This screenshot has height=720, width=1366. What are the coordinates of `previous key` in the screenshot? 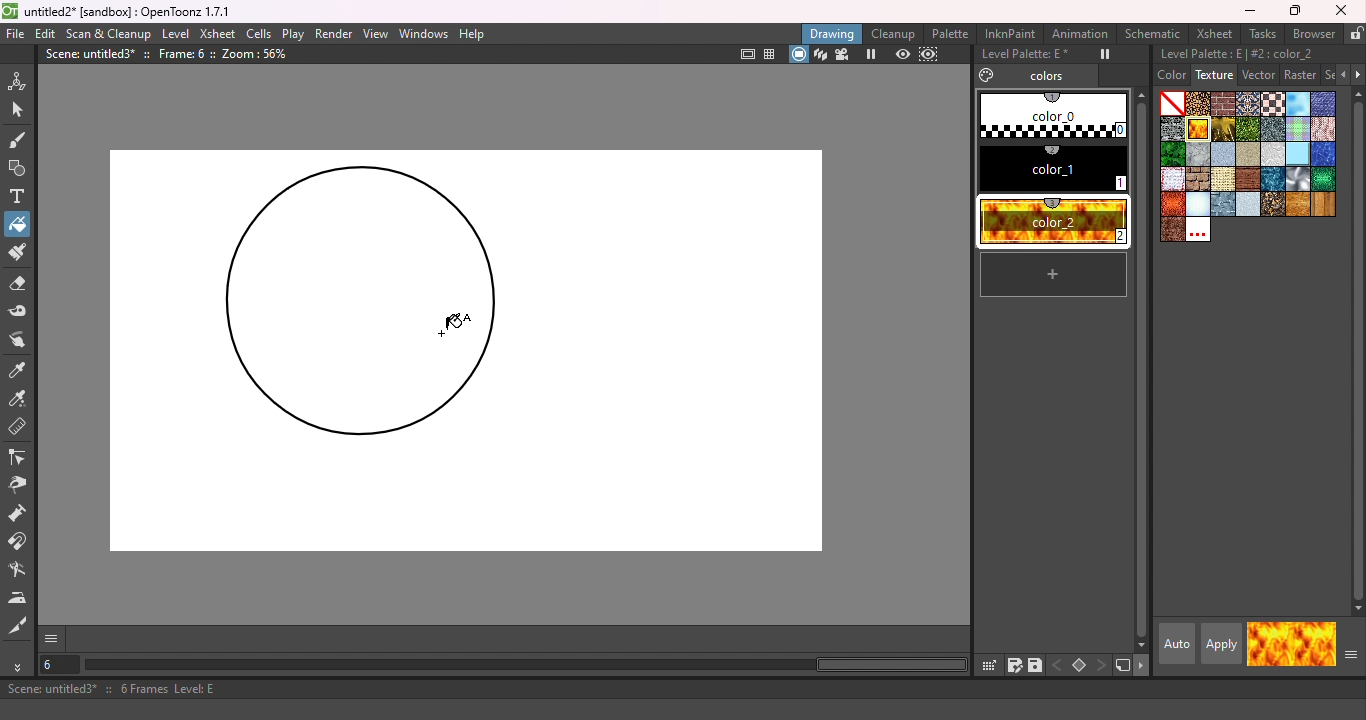 It's located at (1058, 663).